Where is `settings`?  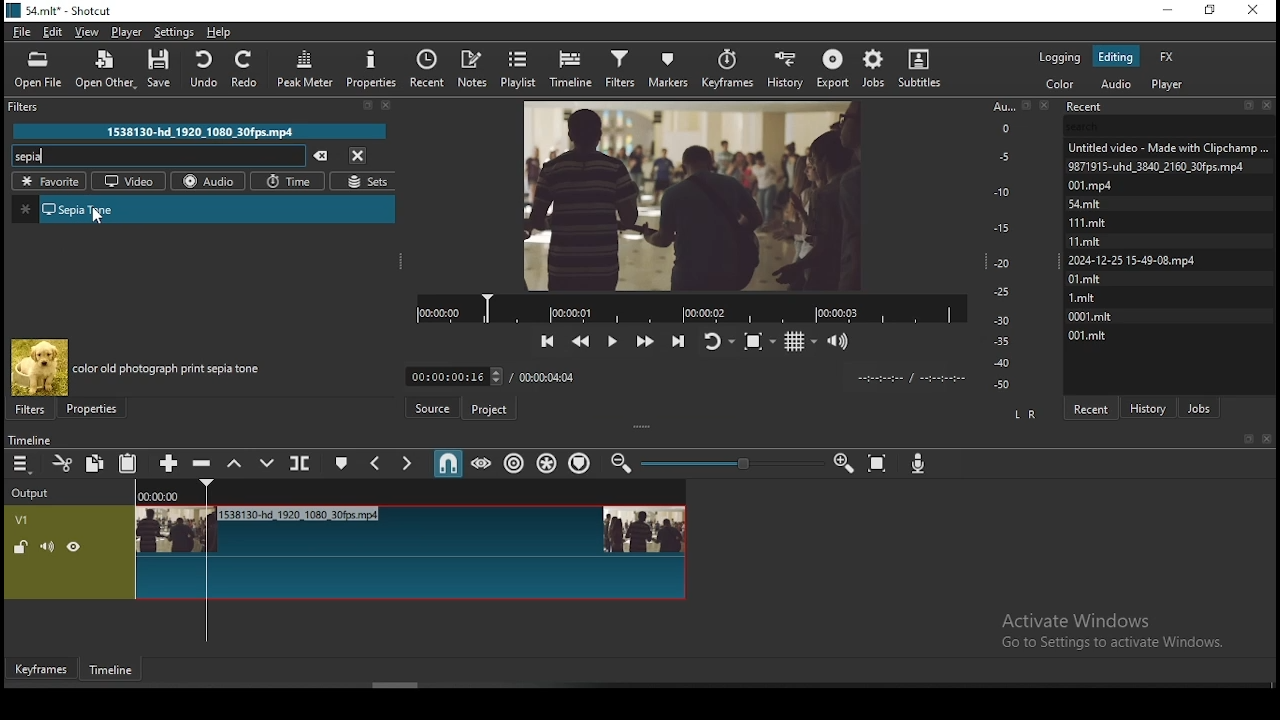 settings is located at coordinates (176, 30).